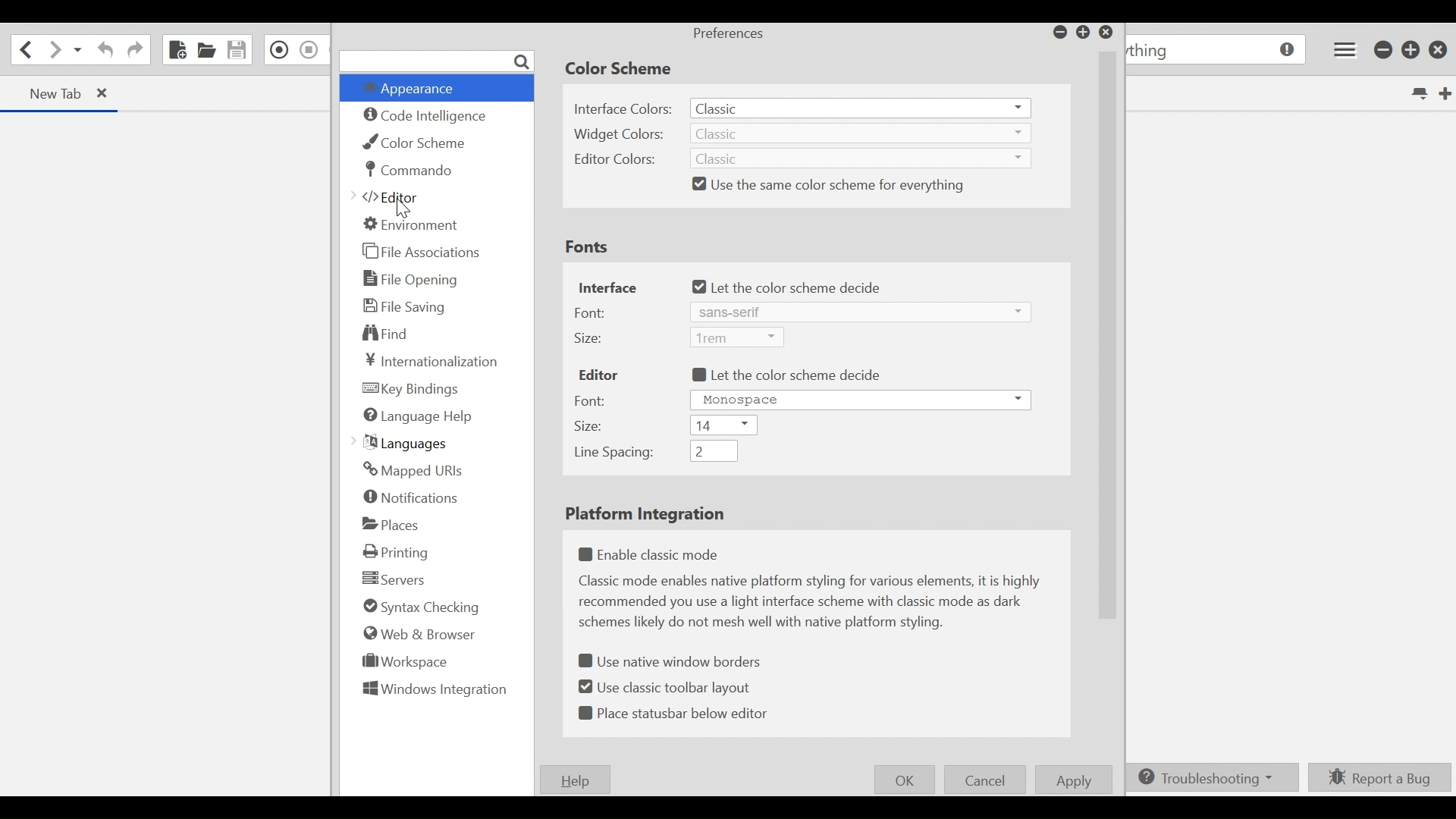  Describe the element at coordinates (621, 67) in the screenshot. I see `Color Scheme` at that location.